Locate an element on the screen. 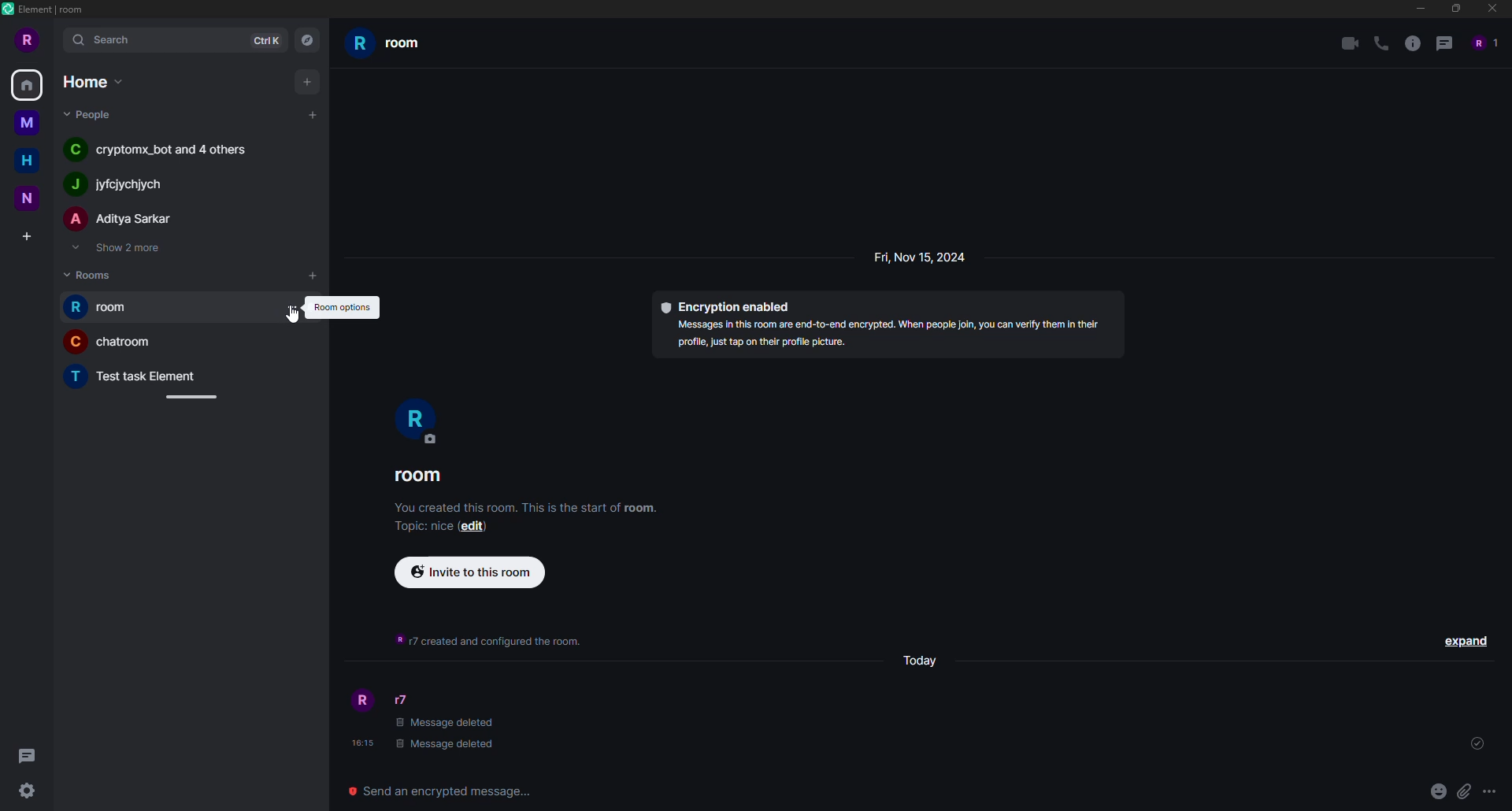 The width and height of the screenshot is (1512, 811). adjust is located at coordinates (192, 396).